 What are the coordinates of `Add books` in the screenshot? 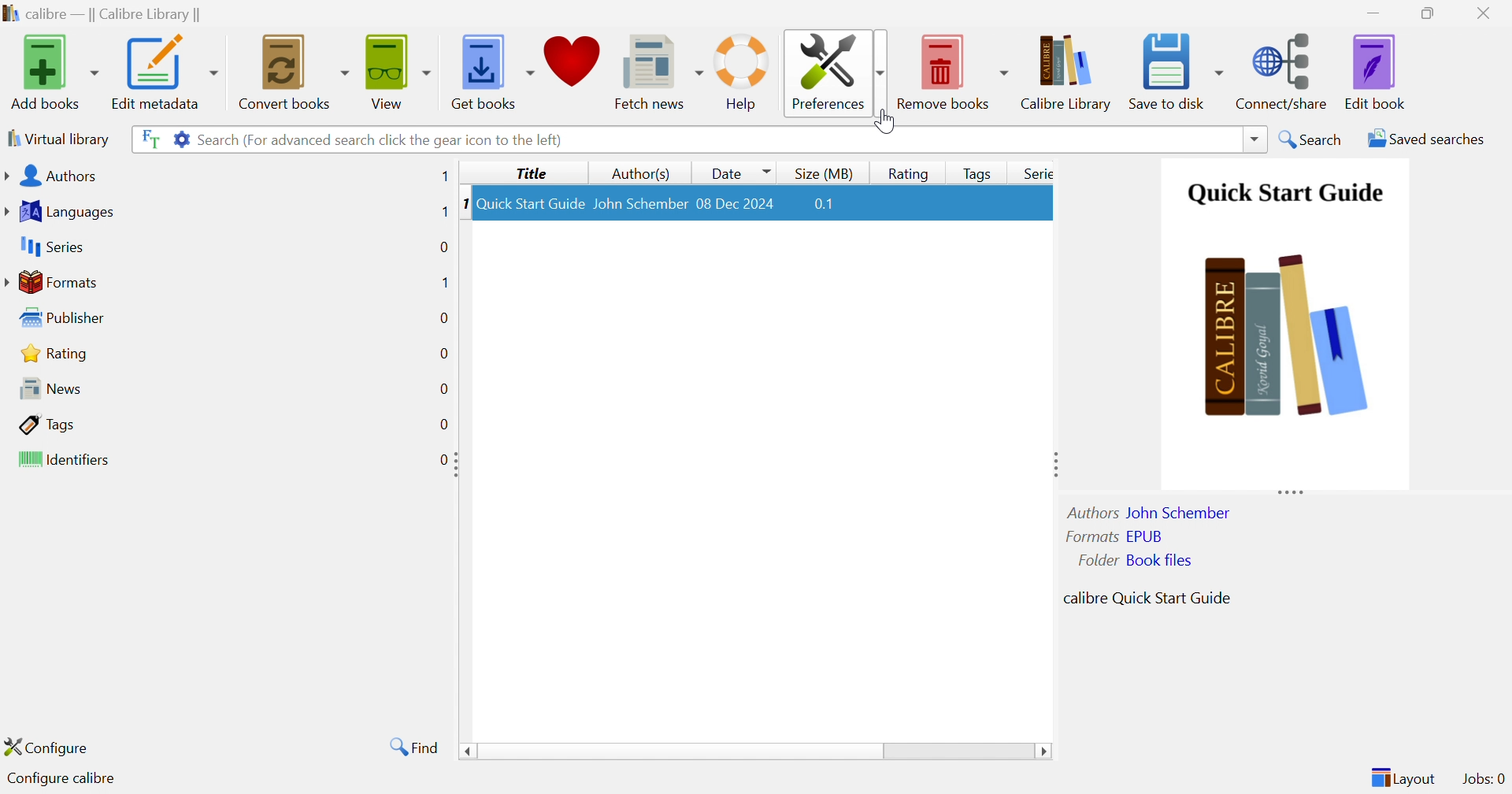 It's located at (52, 72).